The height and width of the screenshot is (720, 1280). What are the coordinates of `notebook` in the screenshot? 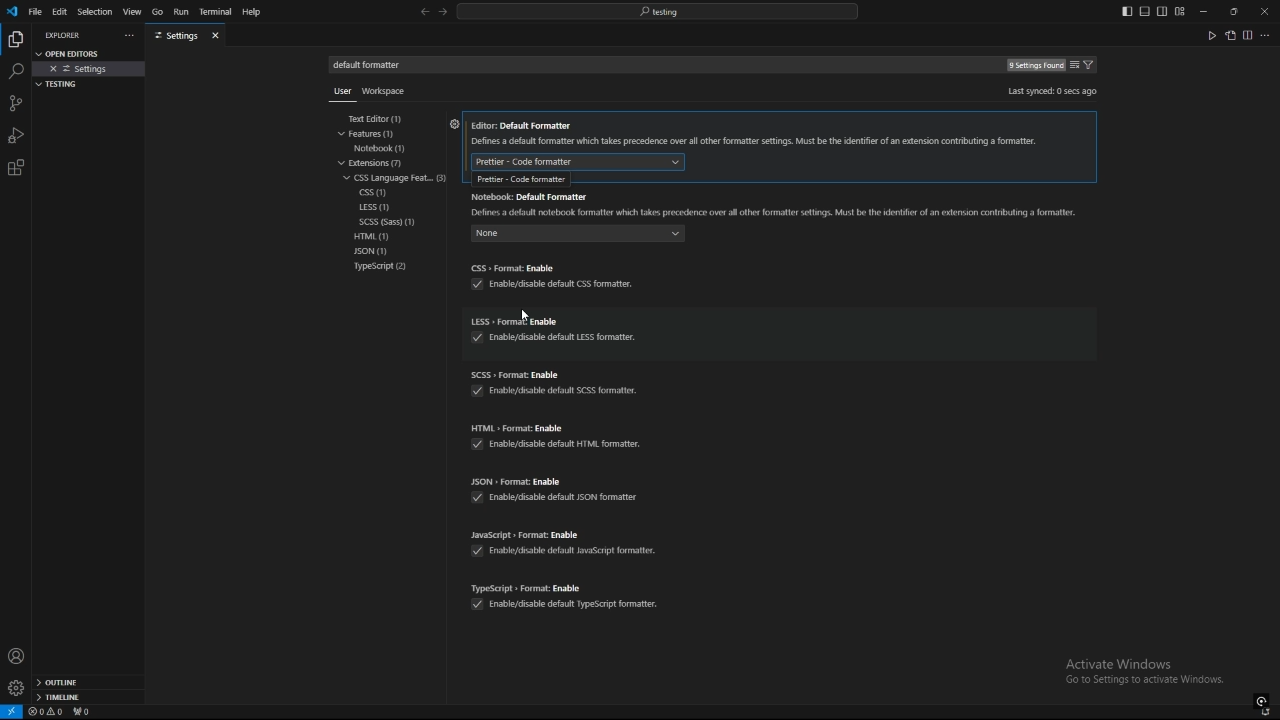 It's located at (385, 148).